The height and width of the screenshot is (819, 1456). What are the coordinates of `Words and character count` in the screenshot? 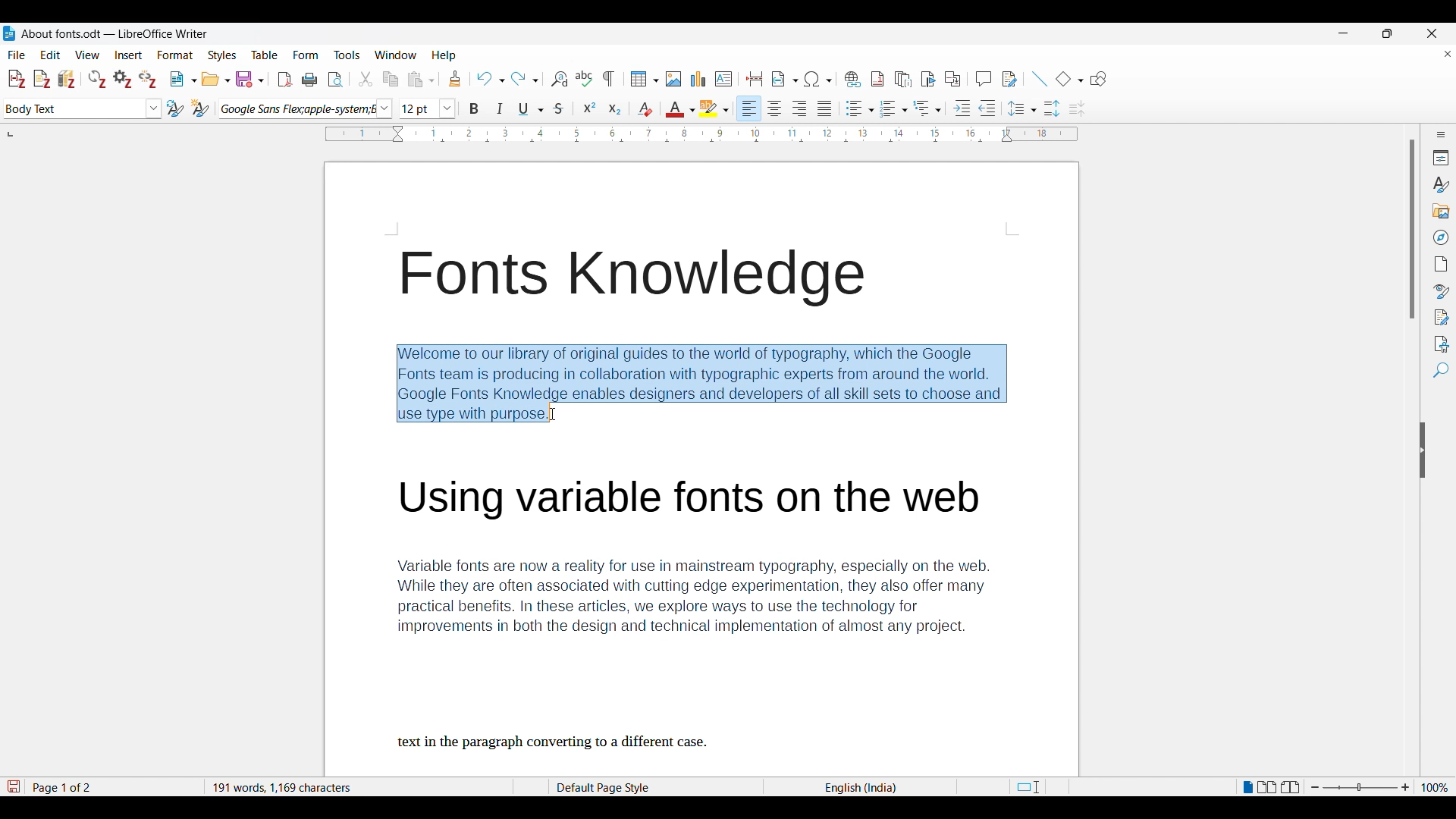 It's located at (354, 786).